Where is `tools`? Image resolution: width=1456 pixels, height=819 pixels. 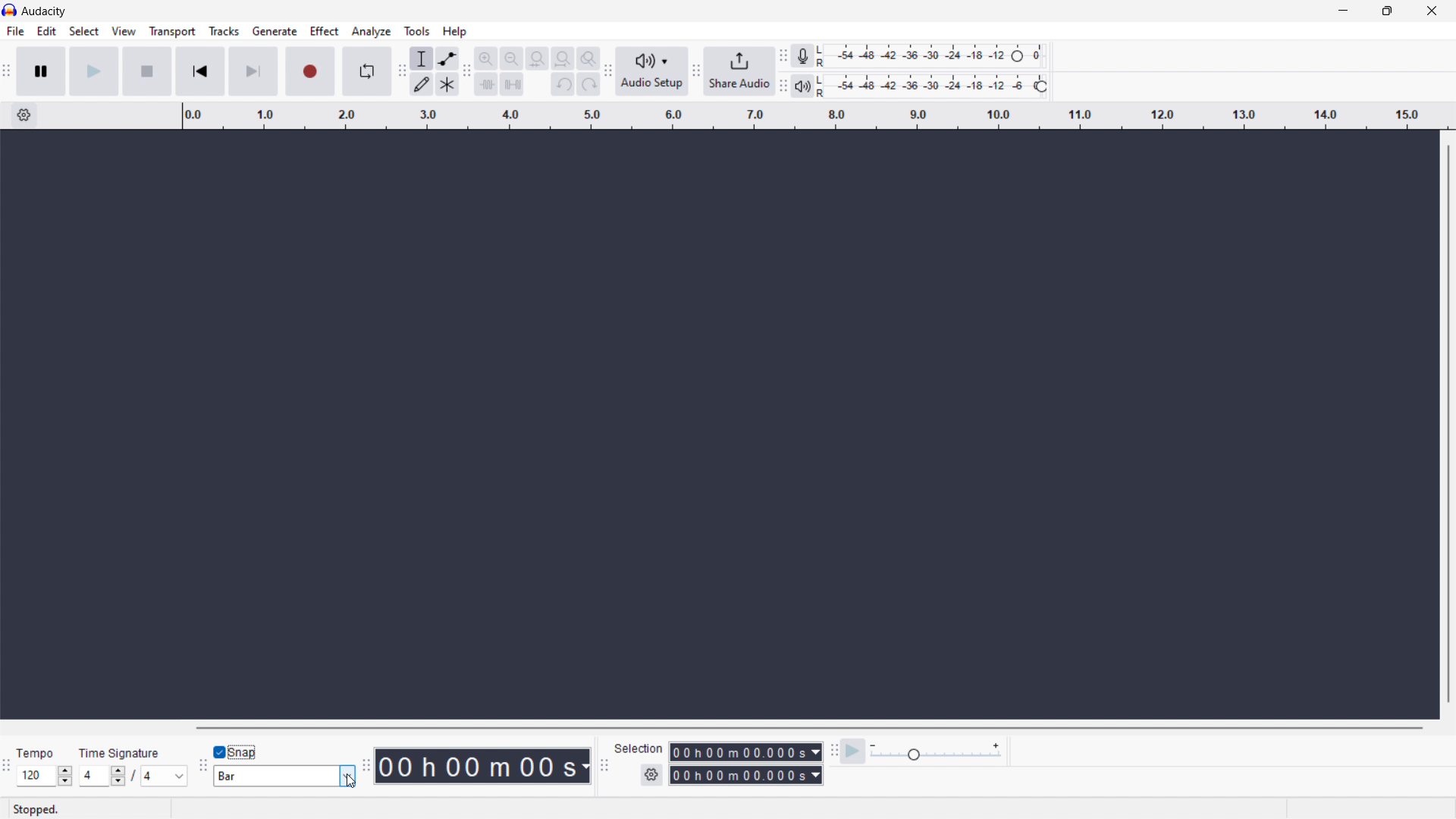
tools is located at coordinates (417, 30).